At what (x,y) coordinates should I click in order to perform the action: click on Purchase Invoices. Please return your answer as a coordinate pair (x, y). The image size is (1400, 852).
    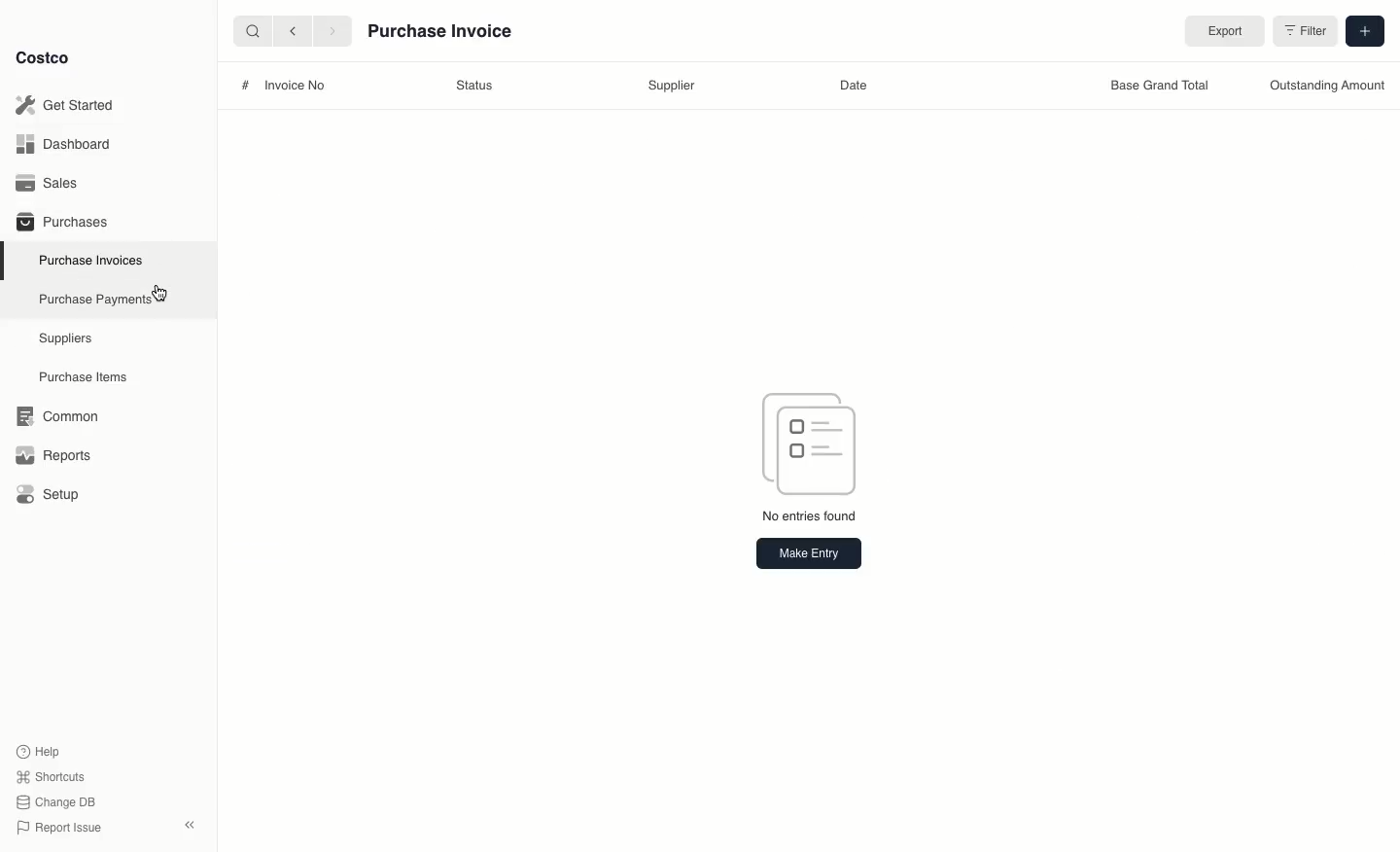
    Looking at the image, I should click on (92, 260).